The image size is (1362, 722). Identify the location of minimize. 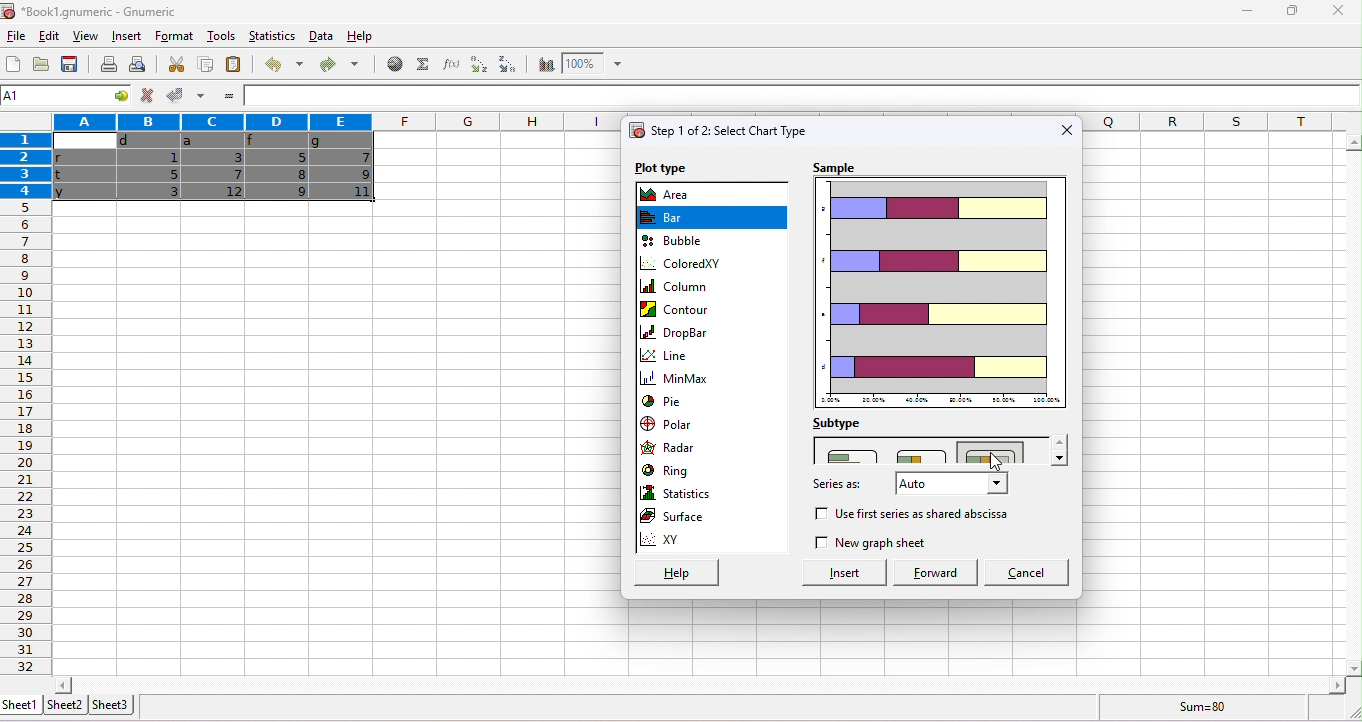
(1247, 14).